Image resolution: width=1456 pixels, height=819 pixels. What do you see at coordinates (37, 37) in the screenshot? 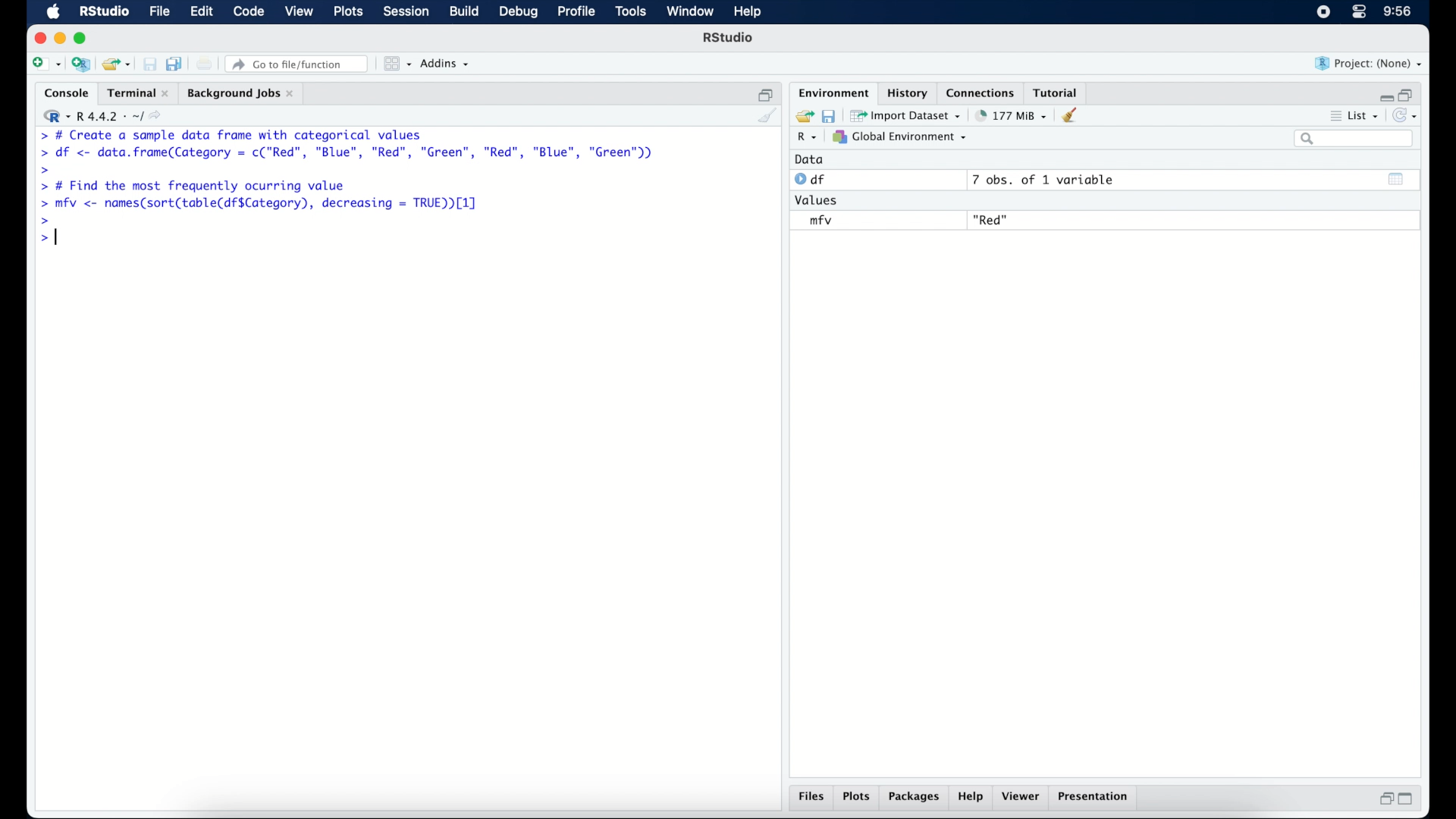
I see `close` at bounding box center [37, 37].